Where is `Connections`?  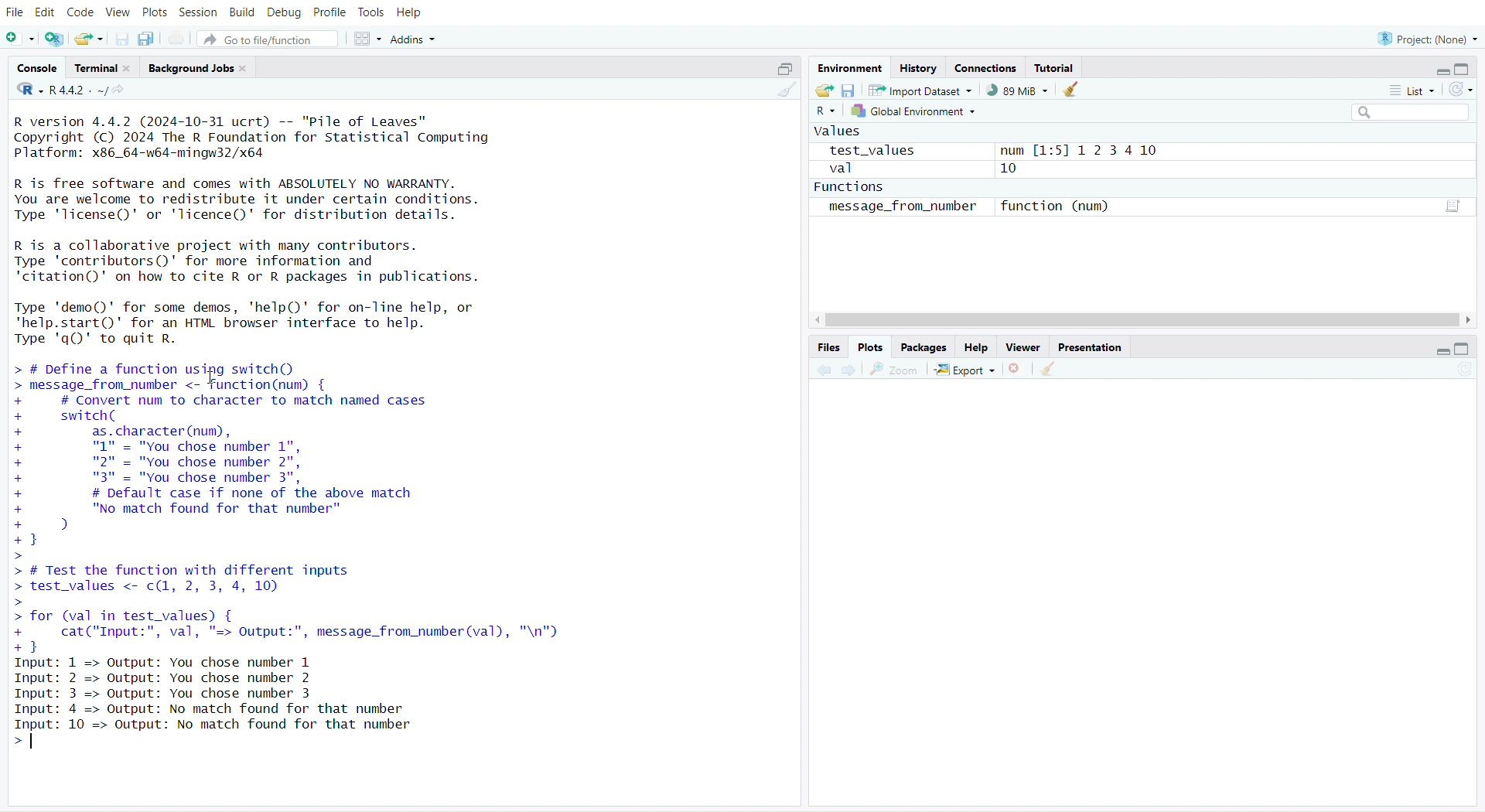 Connections is located at coordinates (985, 67).